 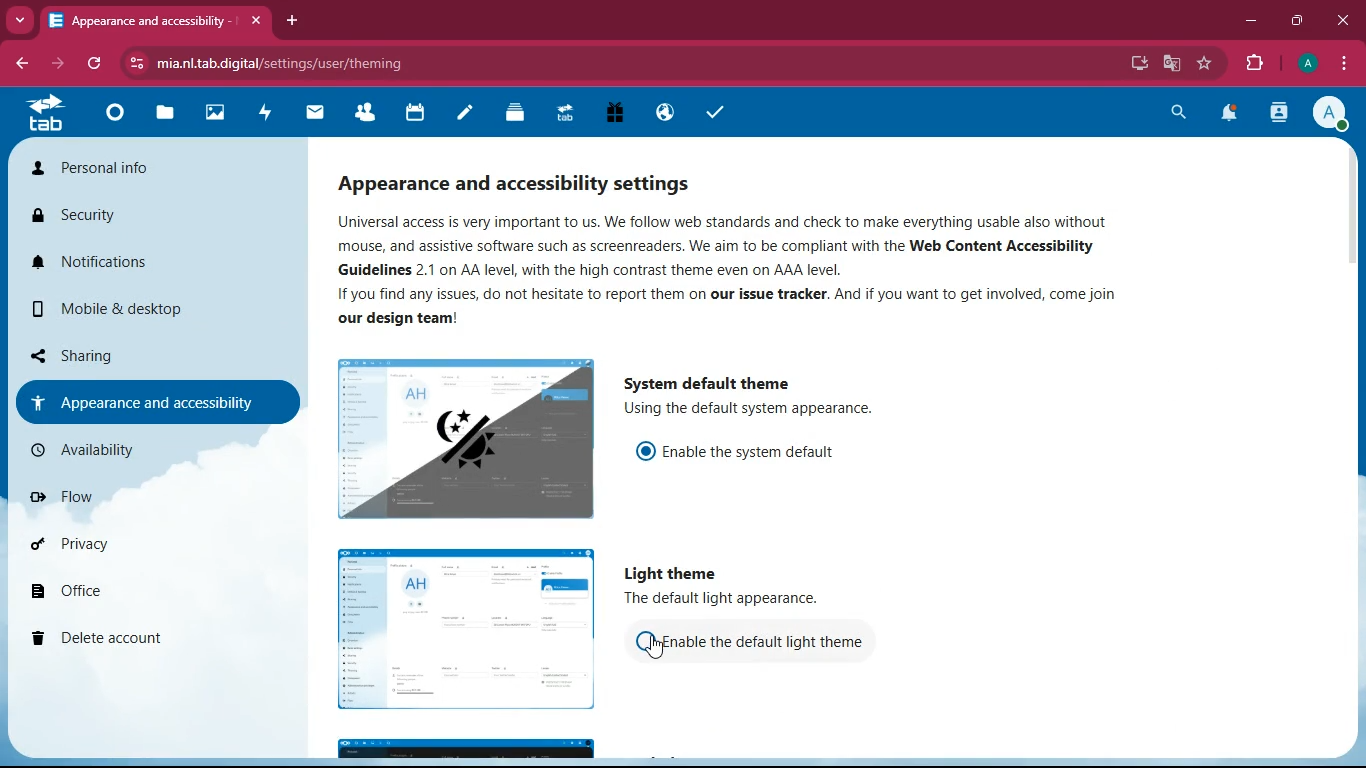 I want to click on forward, so click(x=61, y=64).